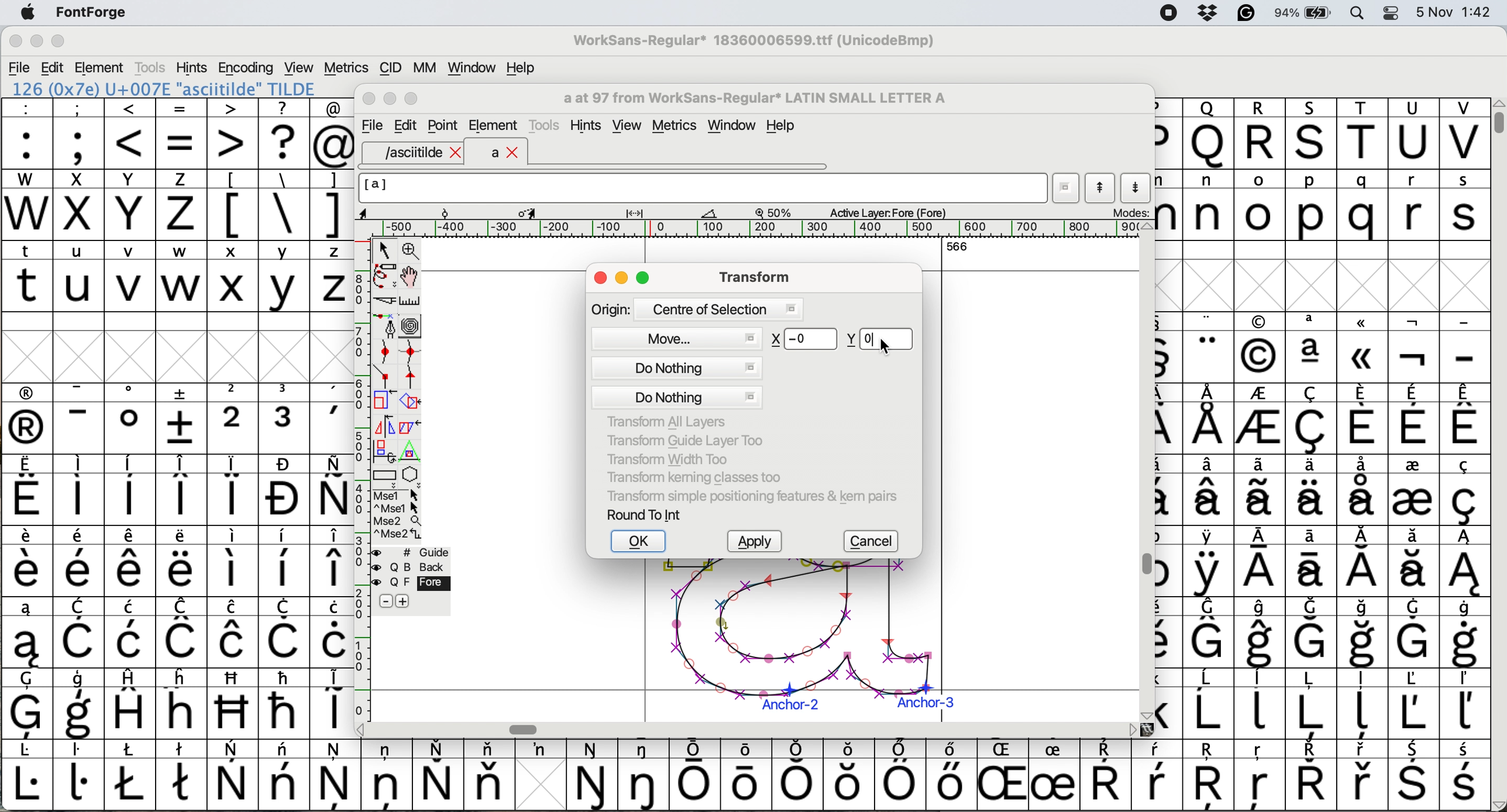  Describe the element at coordinates (900, 775) in the screenshot. I see `symbol` at that location.